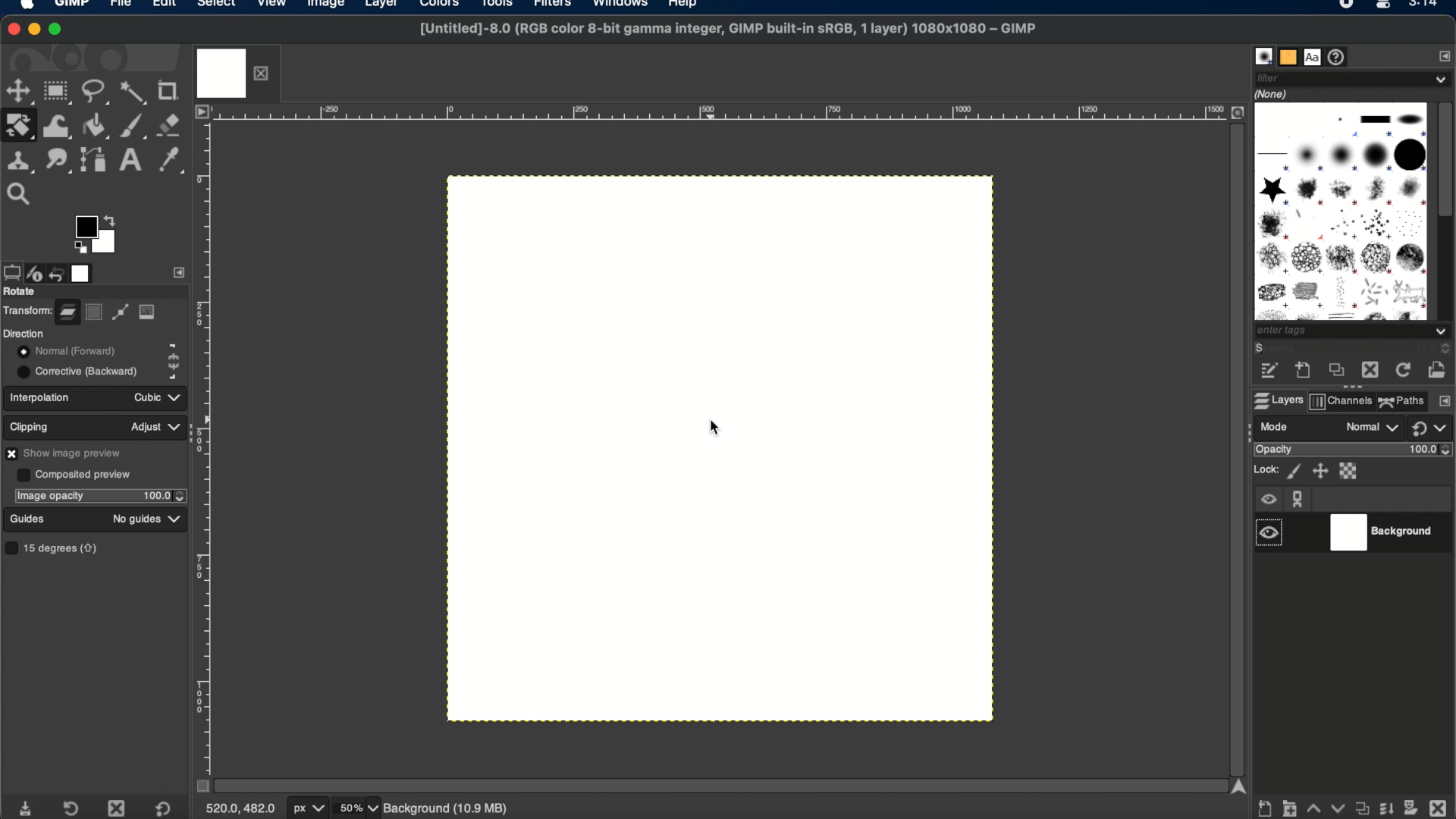  What do you see at coordinates (174, 349) in the screenshot?
I see `normal forward` at bounding box center [174, 349].